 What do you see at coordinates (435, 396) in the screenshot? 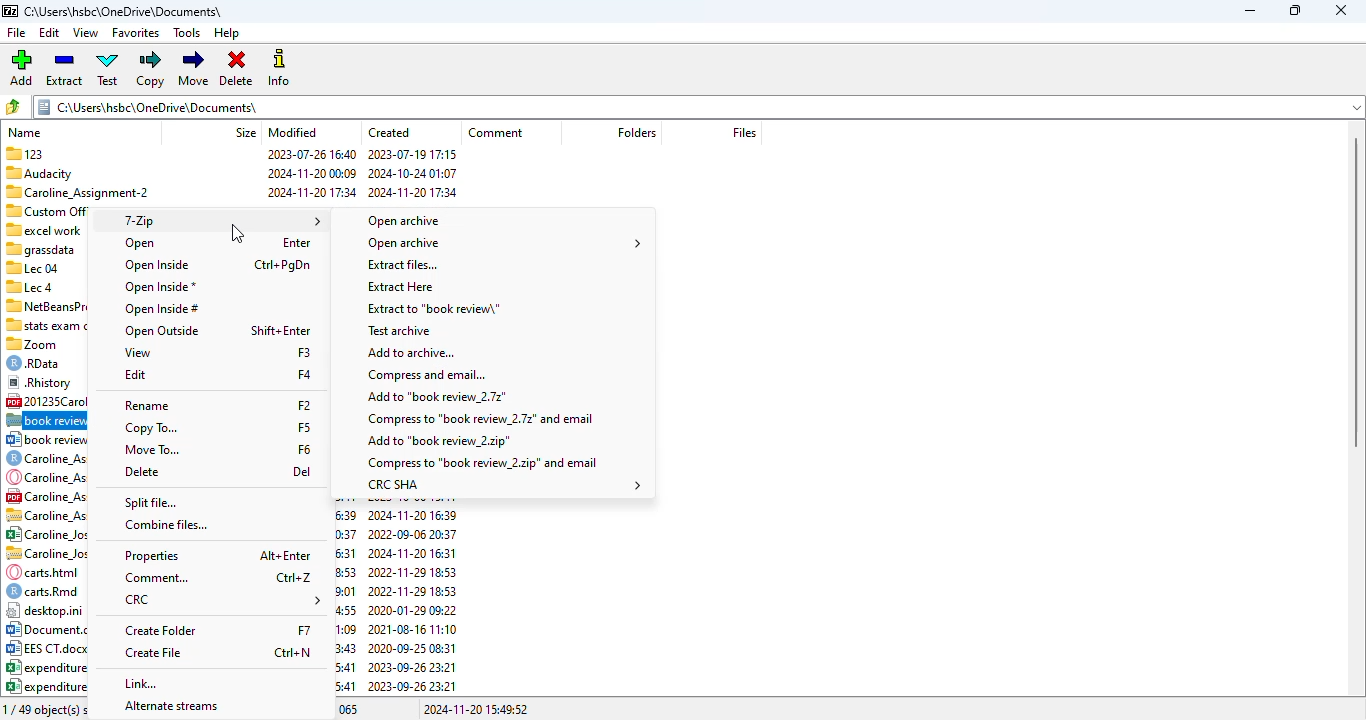
I see `add to .7z file` at bounding box center [435, 396].